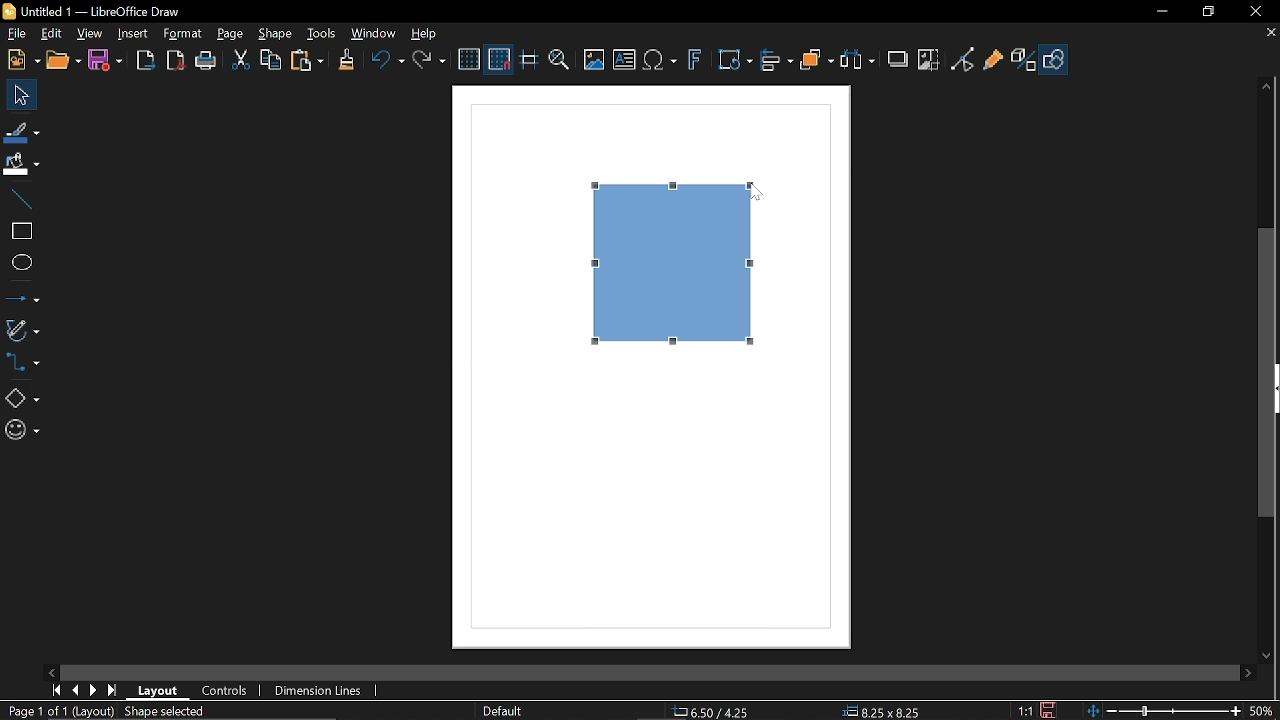 This screenshot has height=720, width=1280. I want to click on Rectangle, so click(20, 230).